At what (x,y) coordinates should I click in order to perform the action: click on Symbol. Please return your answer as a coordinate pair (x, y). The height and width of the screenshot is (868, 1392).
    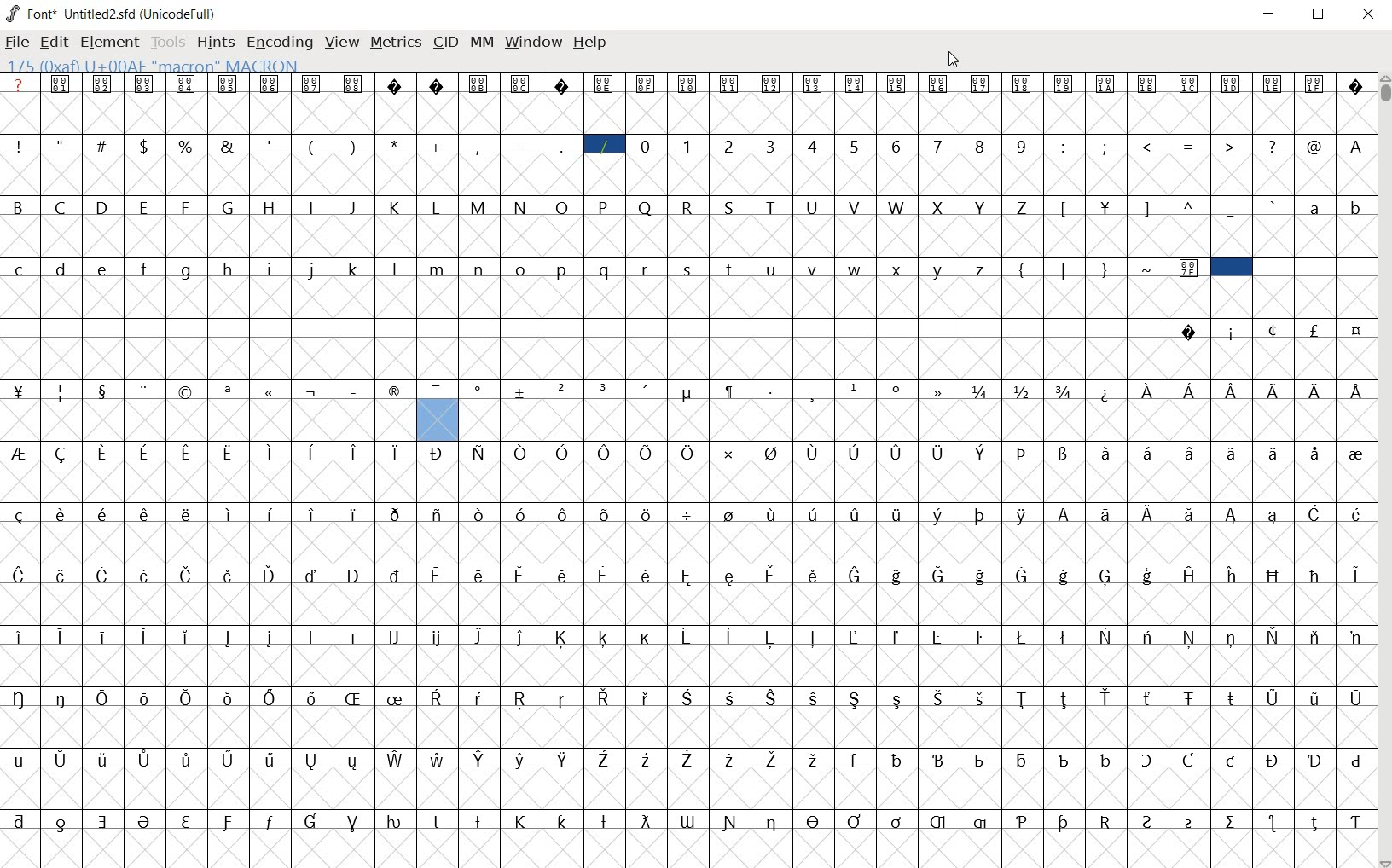
    Looking at the image, I should click on (730, 454).